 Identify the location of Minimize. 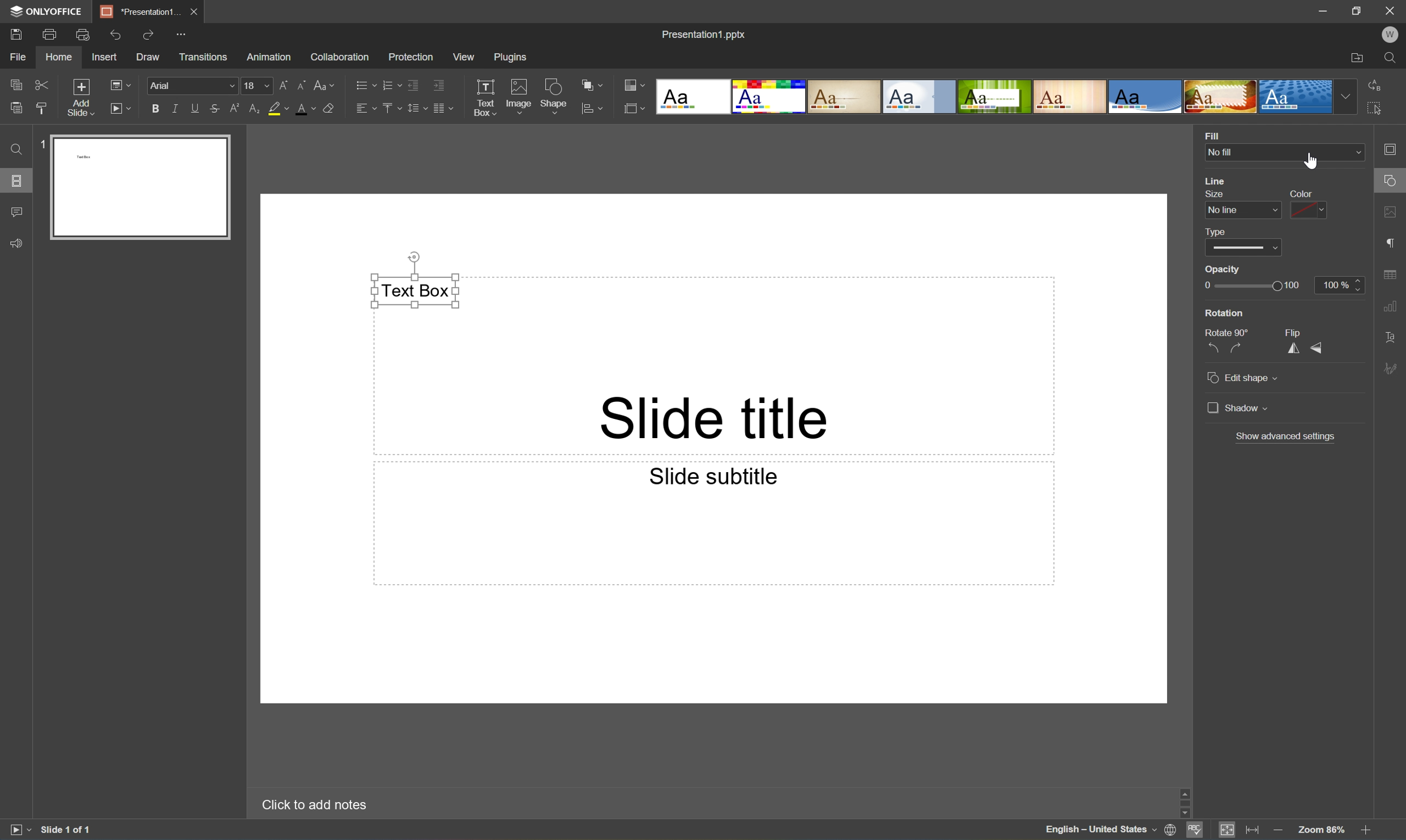
(1322, 9).